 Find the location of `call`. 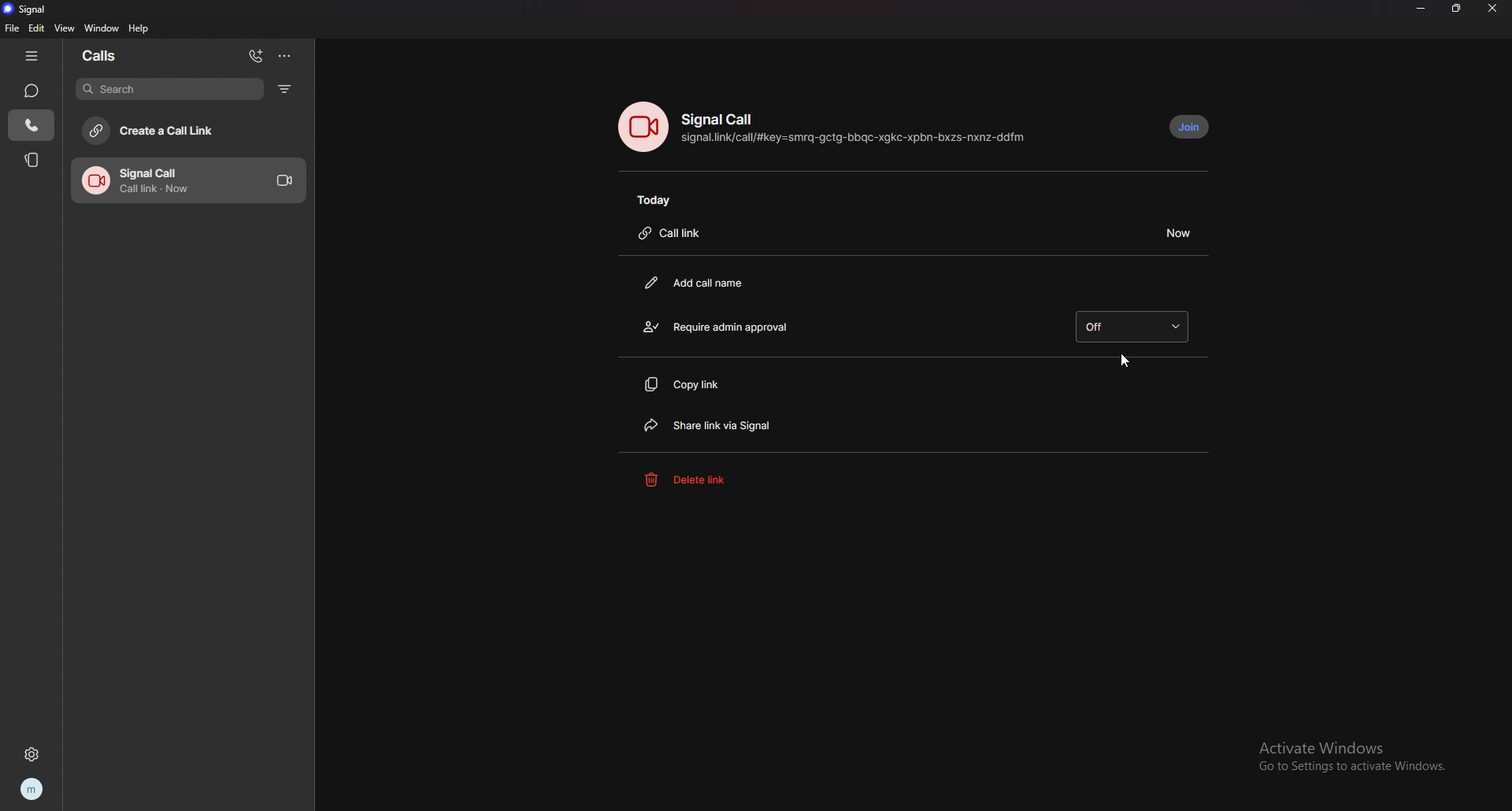

call is located at coordinates (190, 180).